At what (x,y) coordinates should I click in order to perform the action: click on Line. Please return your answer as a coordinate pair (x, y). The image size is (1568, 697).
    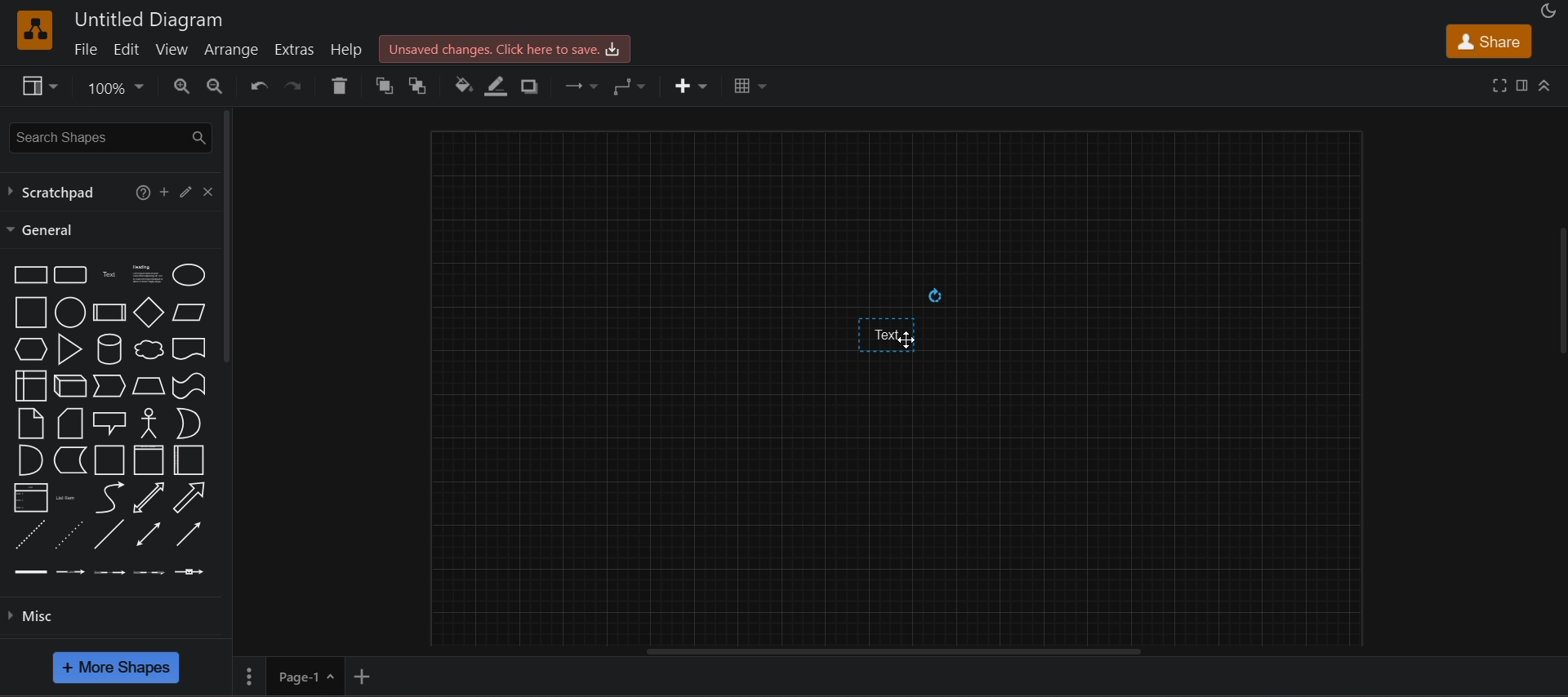
    Looking at the image, I should click on (109, 534).